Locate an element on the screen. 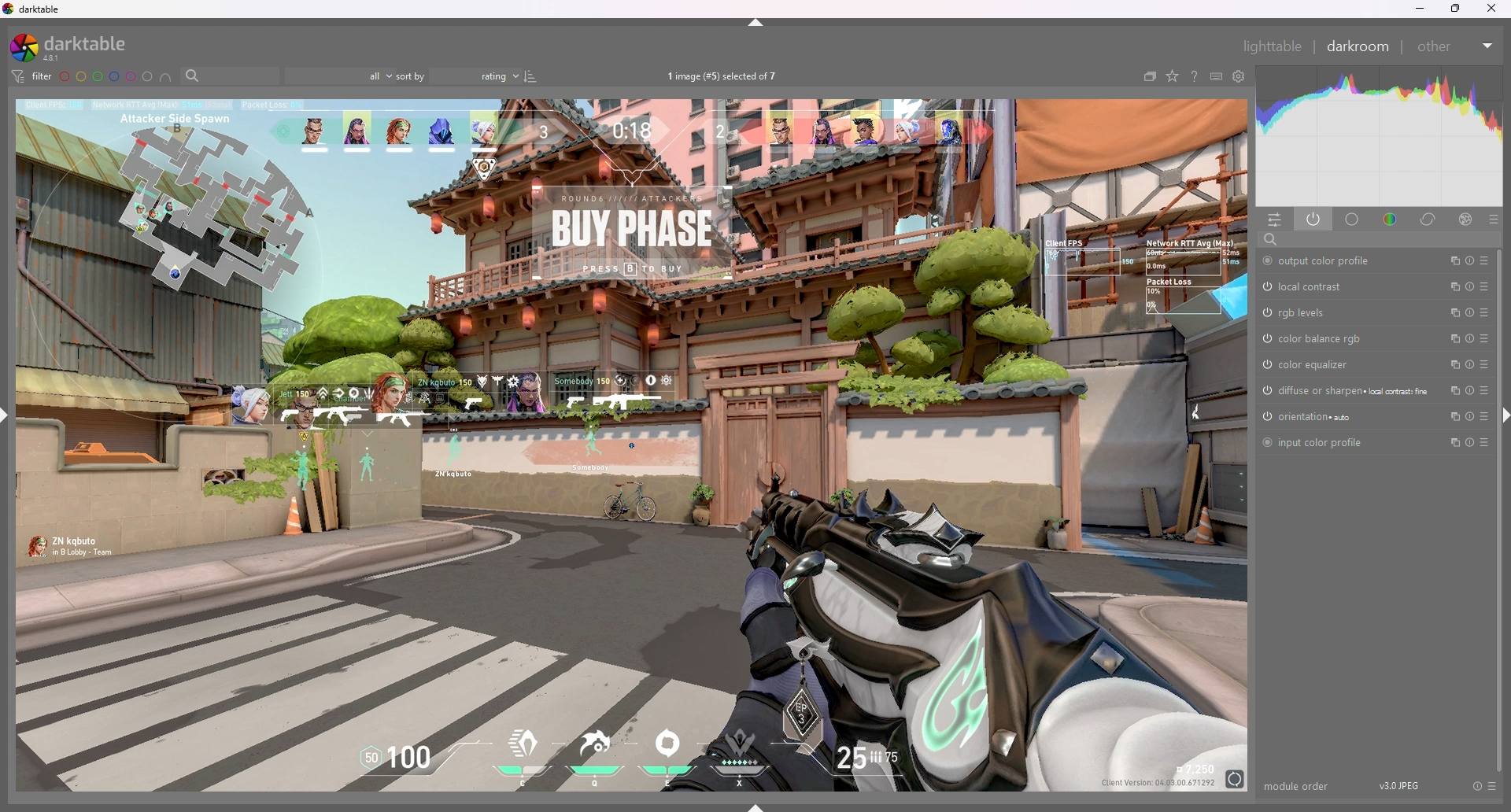 This screenshot has height=812, width=1511. images selected is located at coordinates (725, 76).